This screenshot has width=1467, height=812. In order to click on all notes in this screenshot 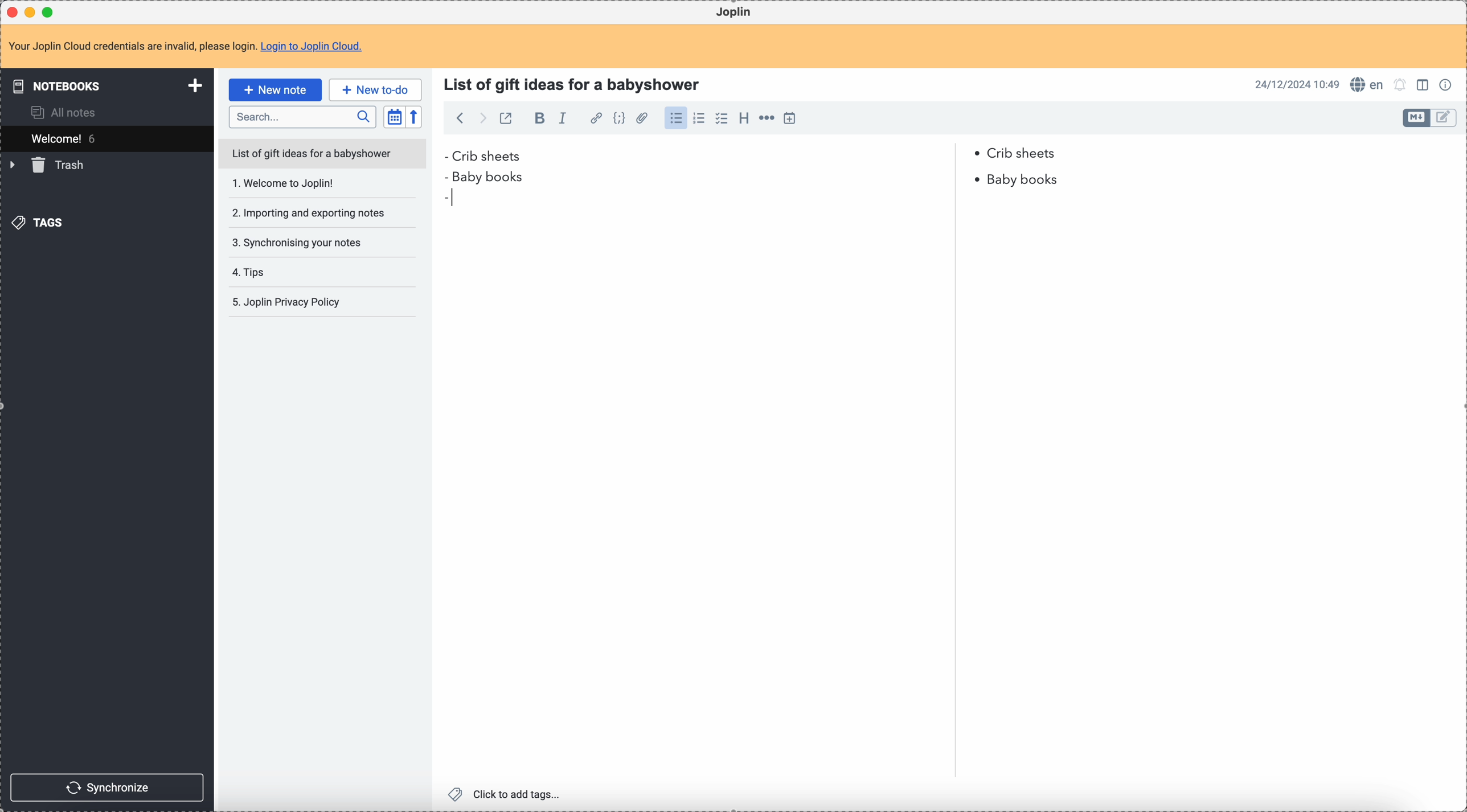, I will do `click(65, 112)`.